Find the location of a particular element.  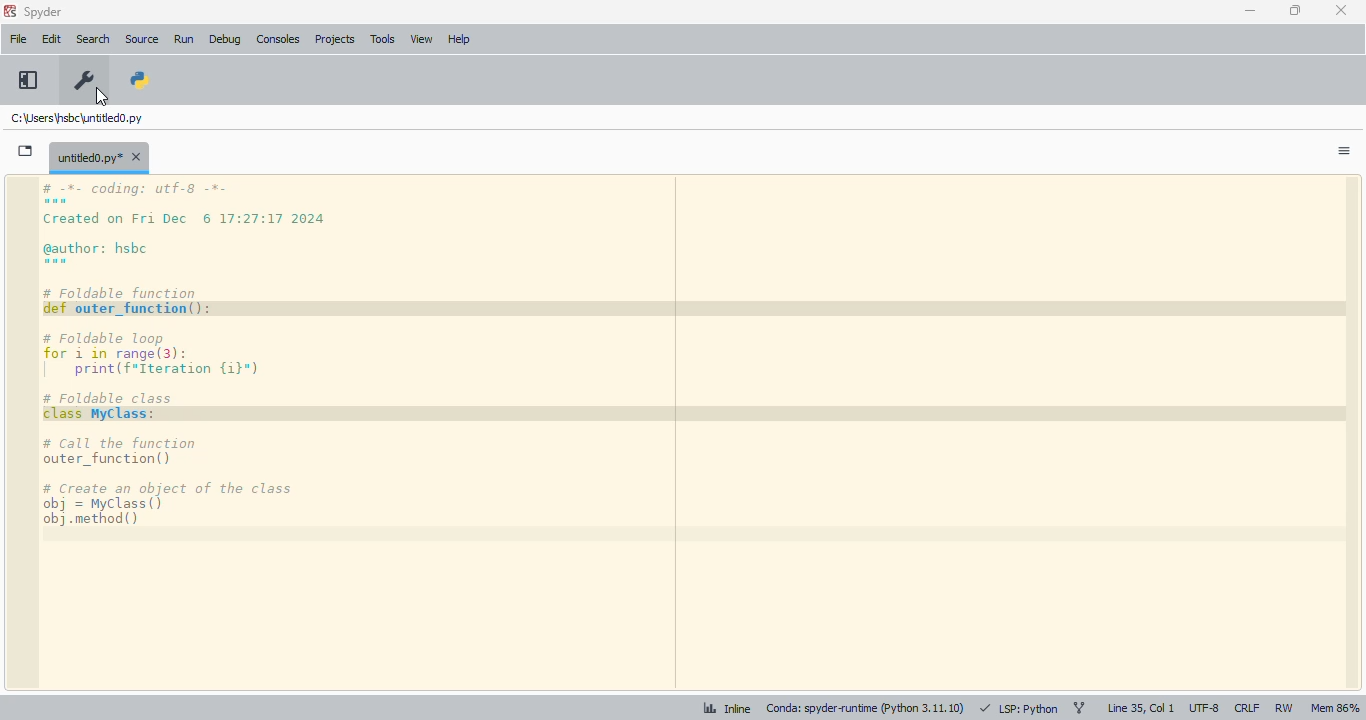

untitled0.py is located at coordinates (77, 117).